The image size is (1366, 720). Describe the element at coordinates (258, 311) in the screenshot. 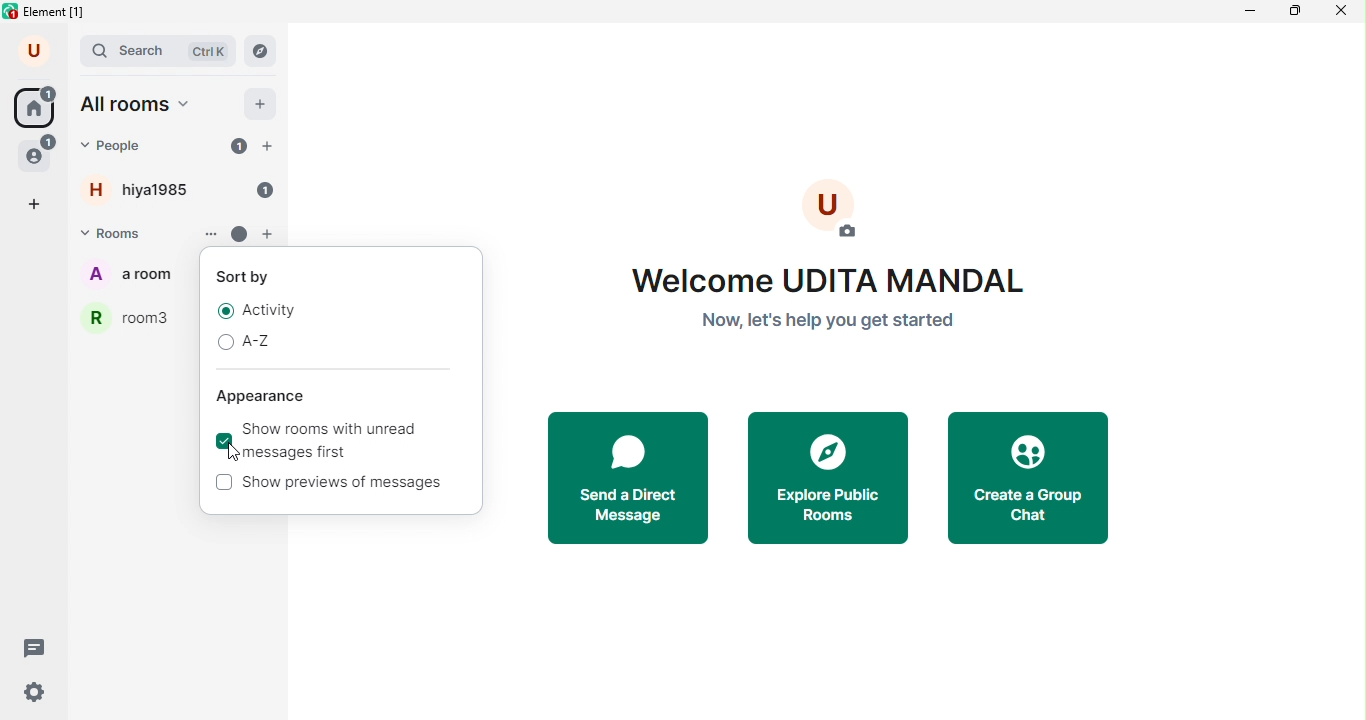

I see `activity` at that location.